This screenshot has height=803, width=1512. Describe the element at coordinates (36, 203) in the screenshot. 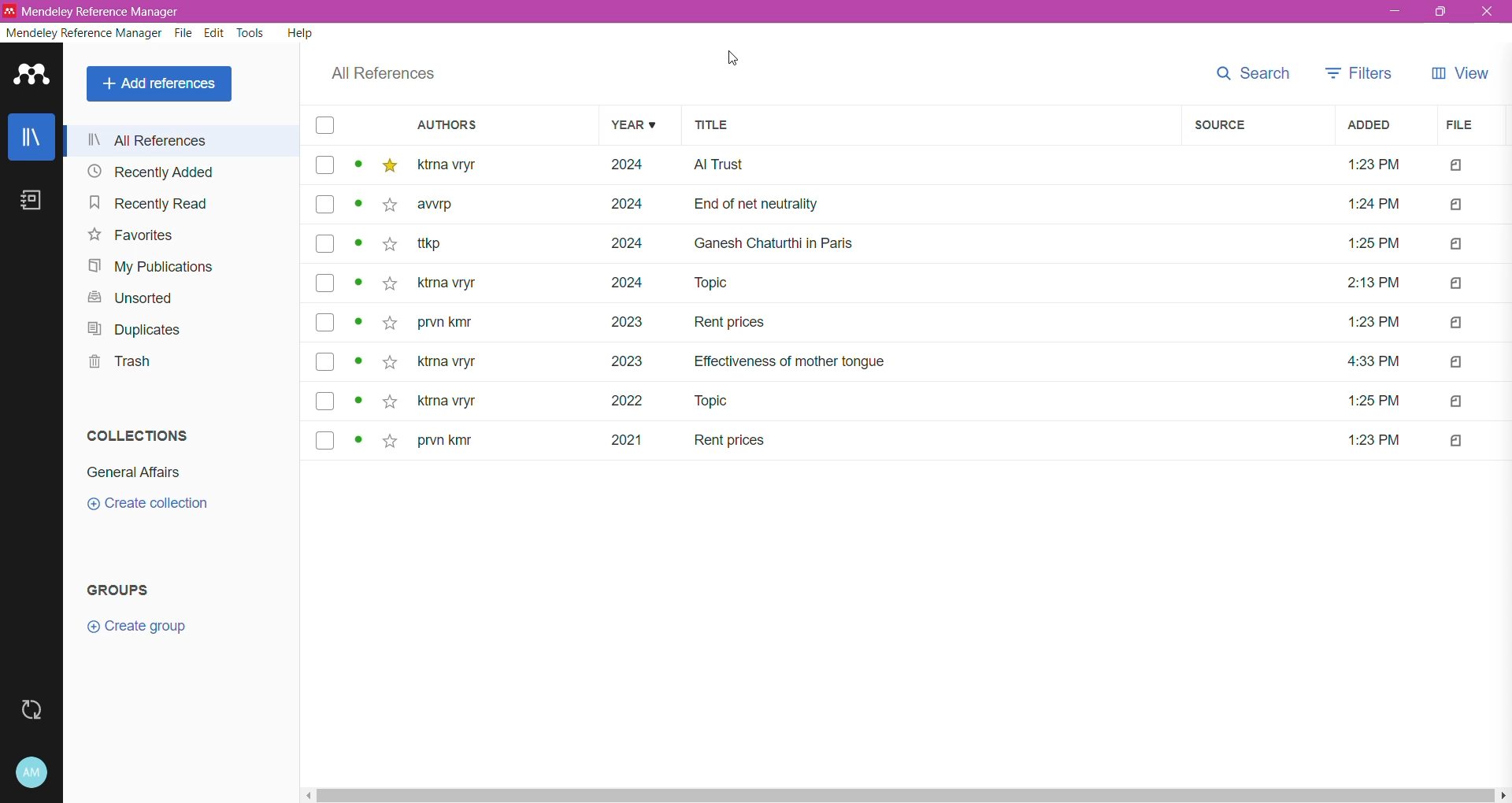

I see `Notes` at that location.